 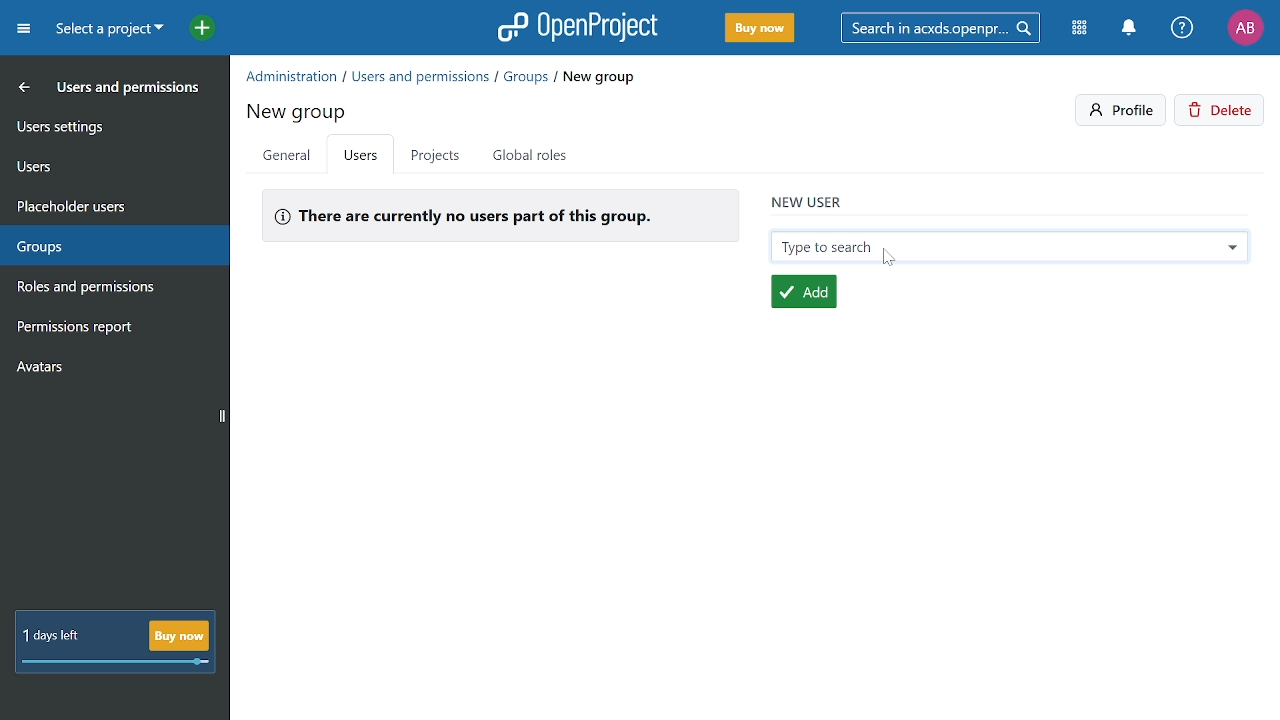 What do you see at coordinates (103, 289) in the screenshot?
I see `Roles and permissions` at bounding box center [103, 289].